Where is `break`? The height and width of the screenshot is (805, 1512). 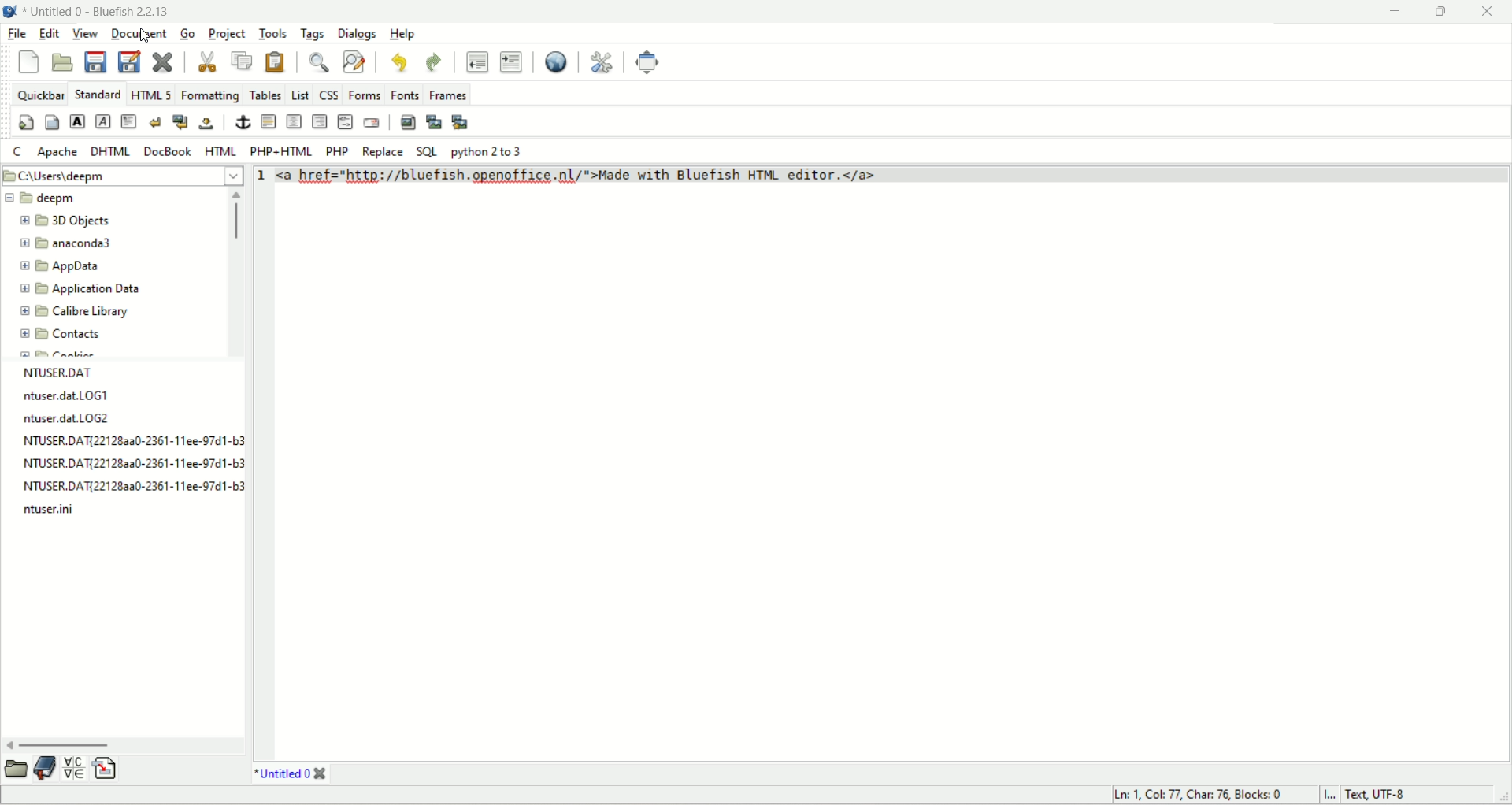
break is located at coordinates (157, 121).